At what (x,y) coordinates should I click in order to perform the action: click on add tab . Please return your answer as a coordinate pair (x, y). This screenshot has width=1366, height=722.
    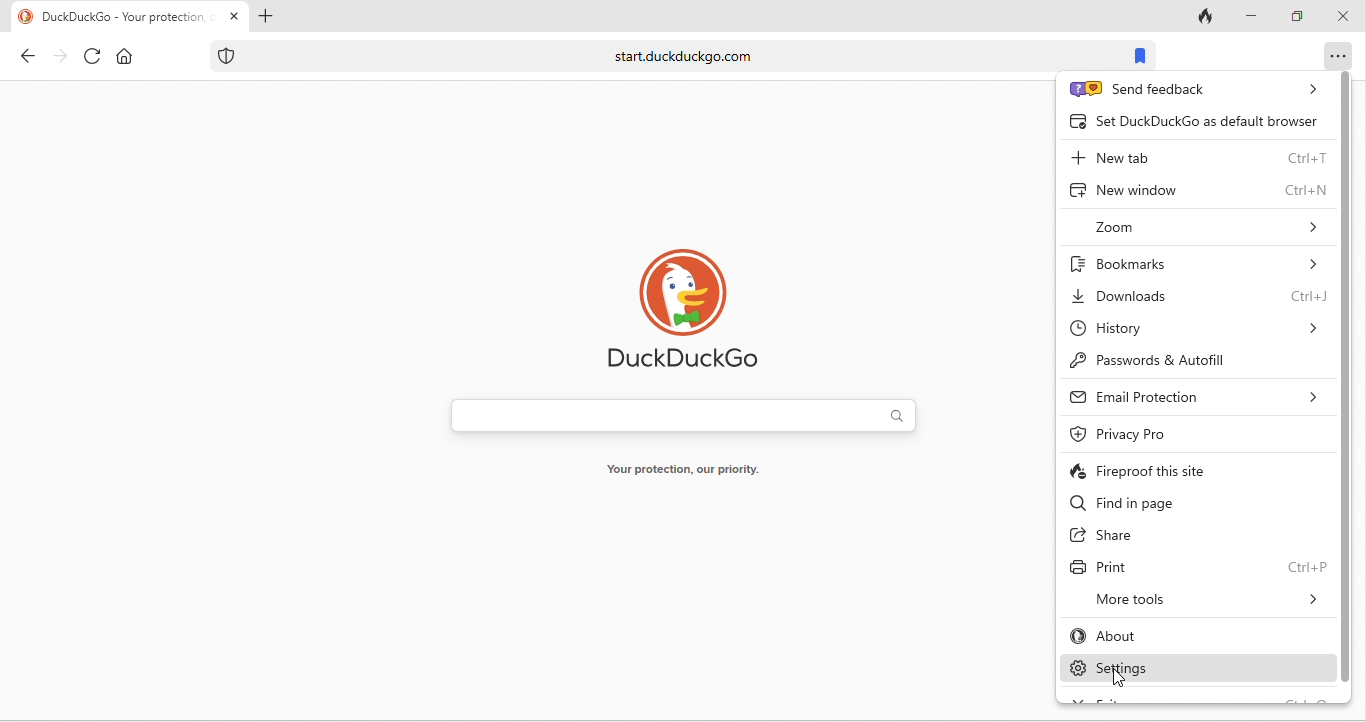
    Looking at the image, I should click on (269, 17).